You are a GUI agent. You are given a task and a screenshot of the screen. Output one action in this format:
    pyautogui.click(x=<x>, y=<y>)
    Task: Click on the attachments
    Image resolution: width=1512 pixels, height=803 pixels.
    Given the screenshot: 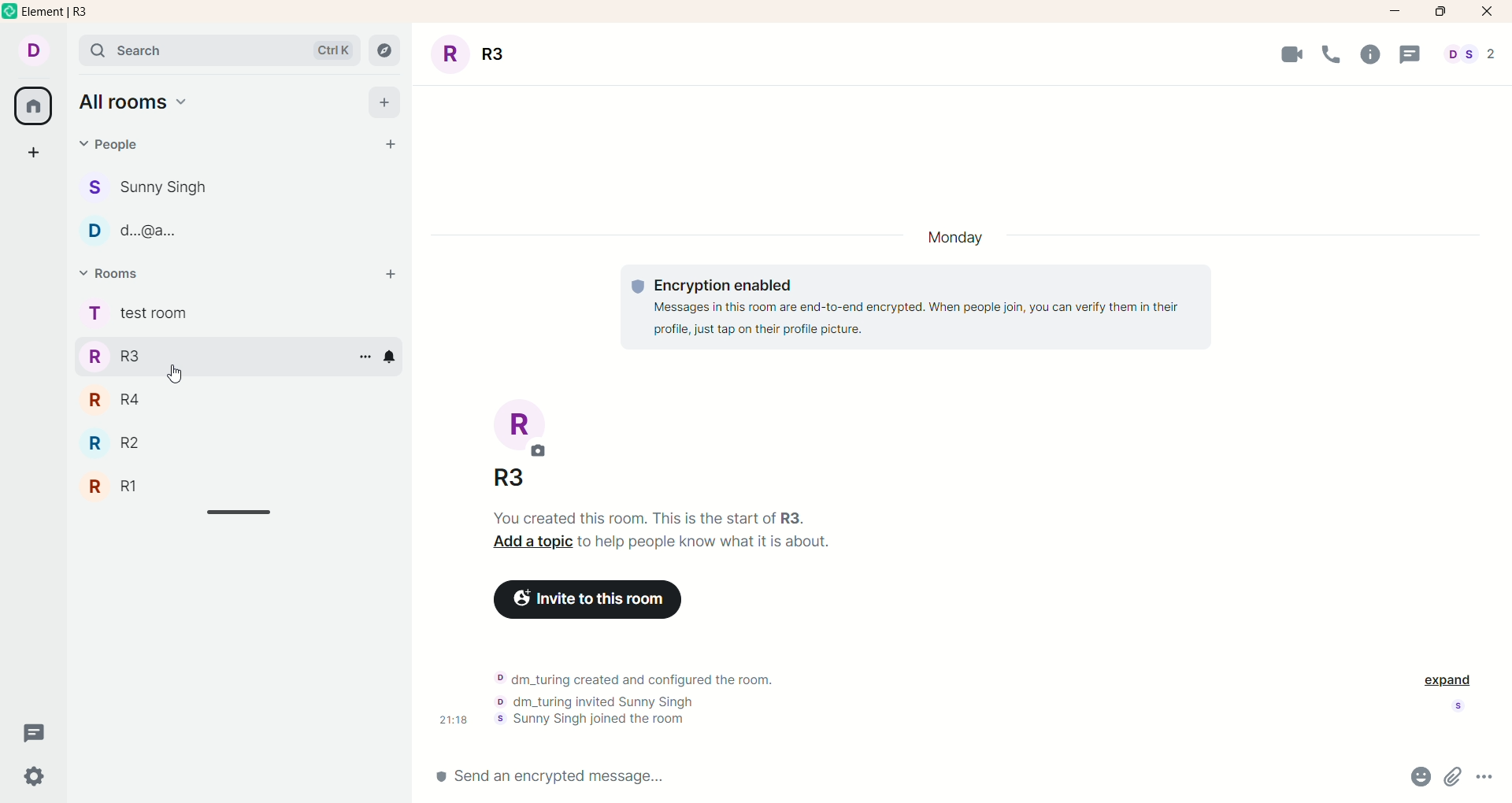 What is the action you would take?
    pyautogui.click(x=1455, y=778)
    